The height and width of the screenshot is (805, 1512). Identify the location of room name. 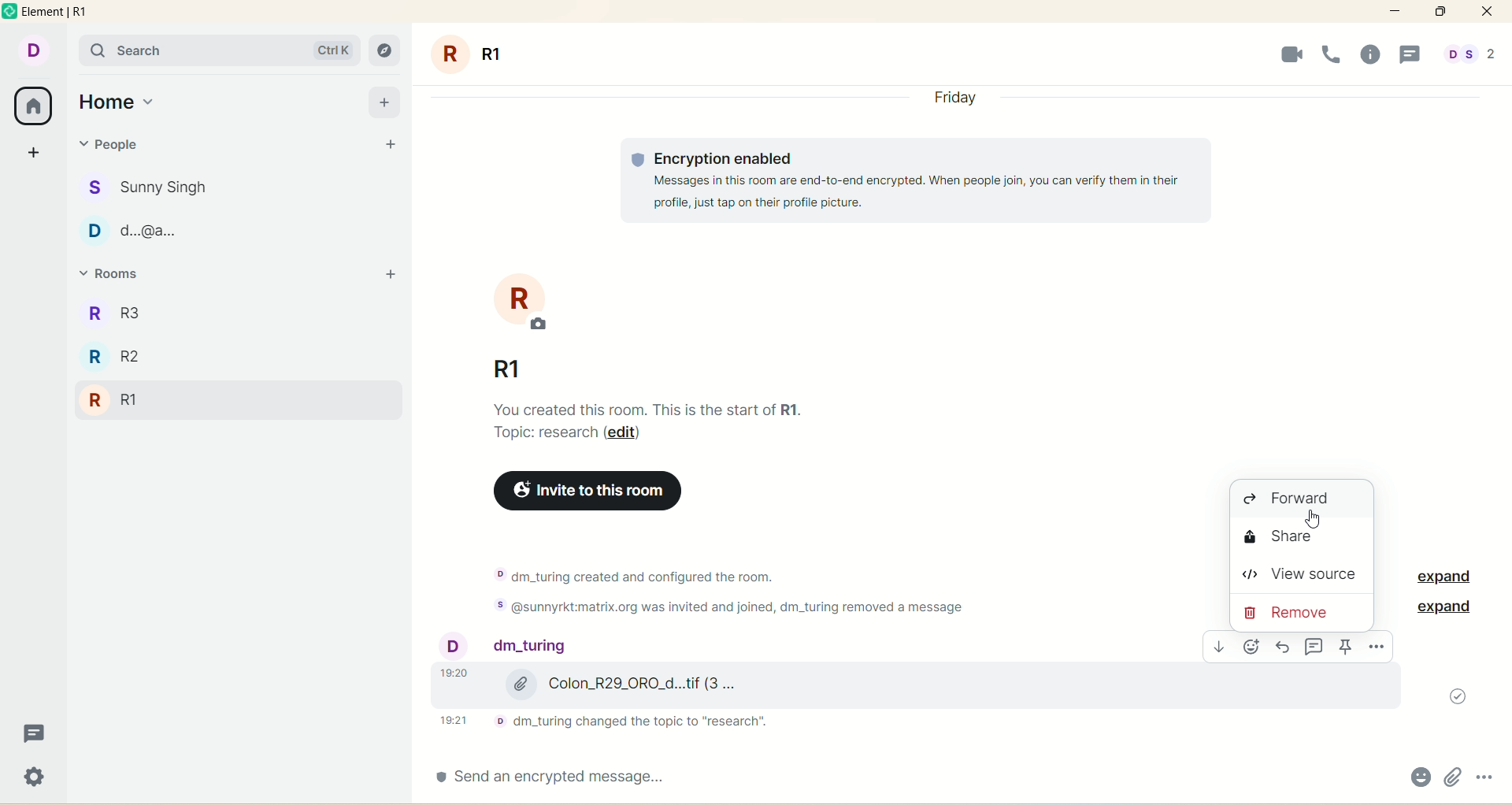
(500, 364).